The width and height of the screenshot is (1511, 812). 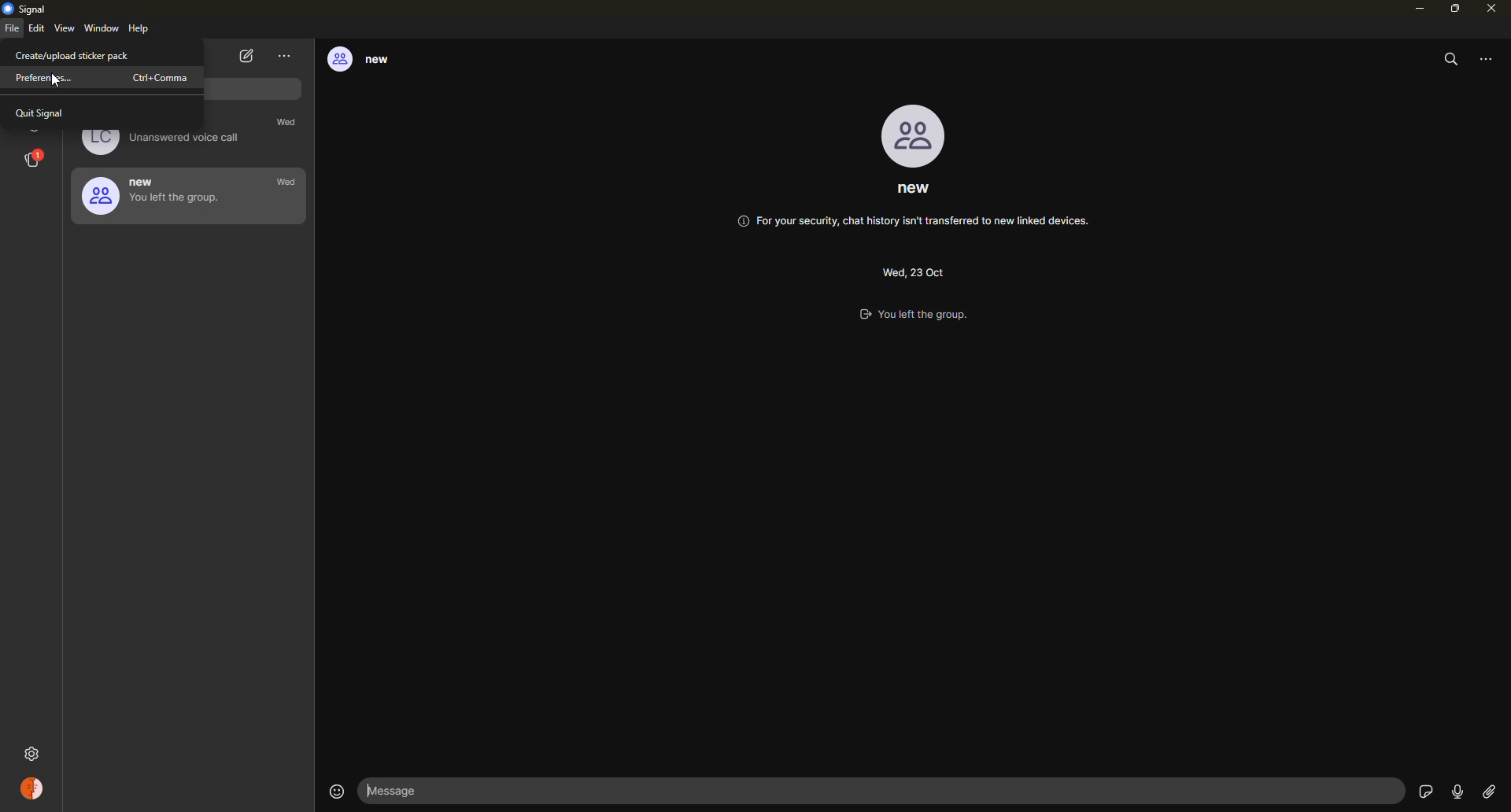 What do you see at coordinates (34, 751) in the screenshot?
I see `settings` at bounding box center [34, 751].